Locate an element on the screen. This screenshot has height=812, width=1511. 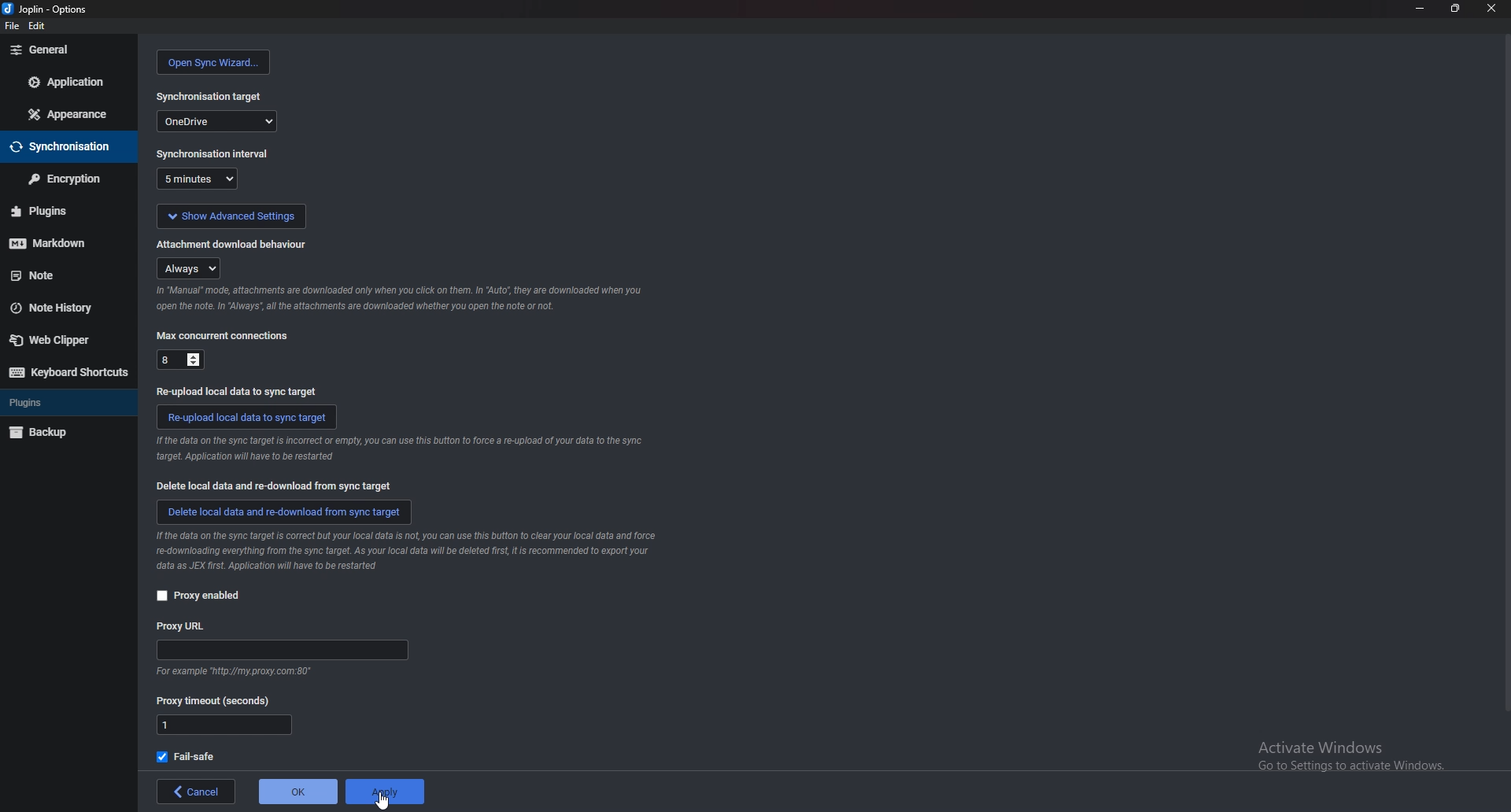
back is located at coordinates (193, 791).